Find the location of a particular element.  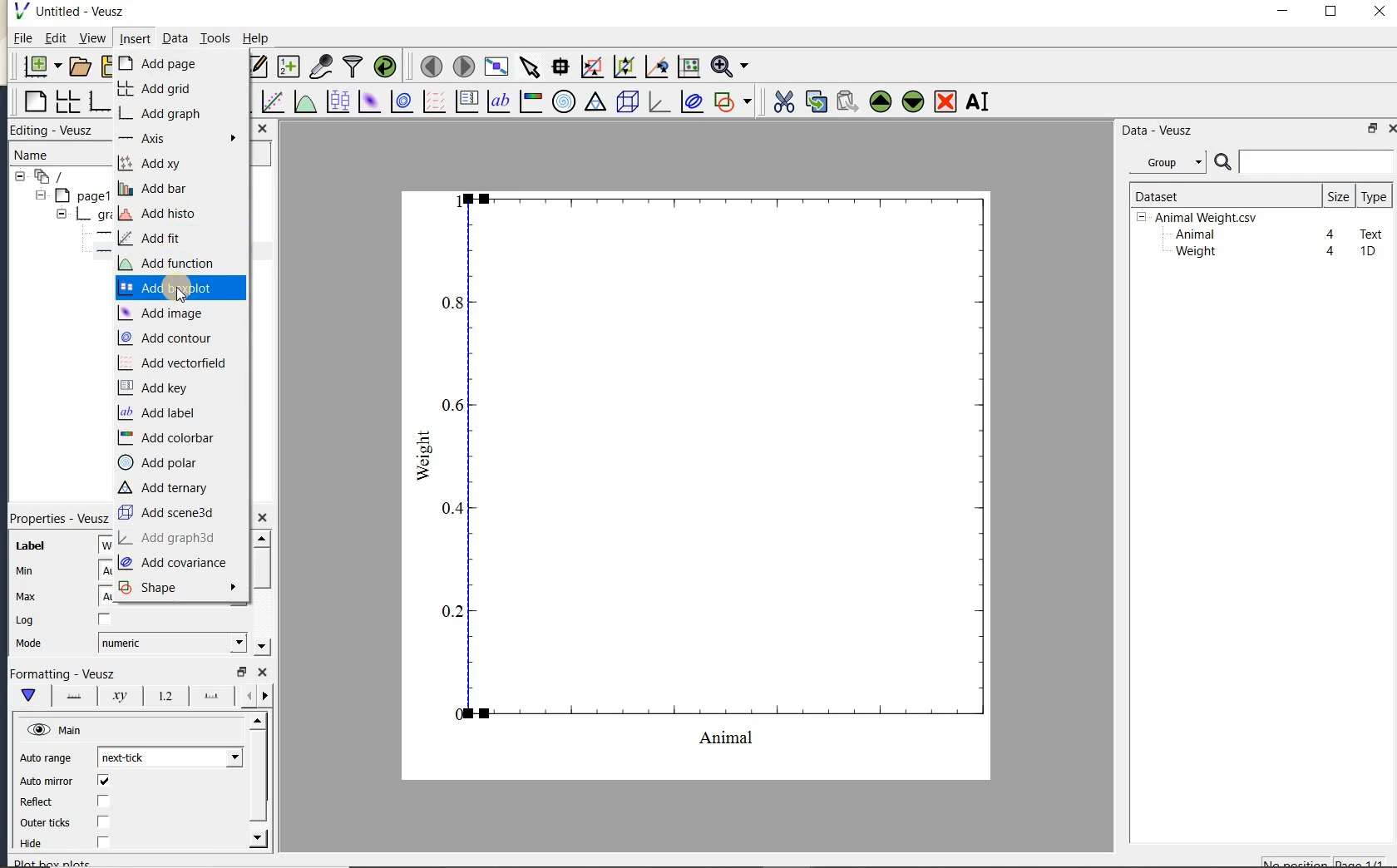

Data-Veusz is located at coordinates (1158, 131).